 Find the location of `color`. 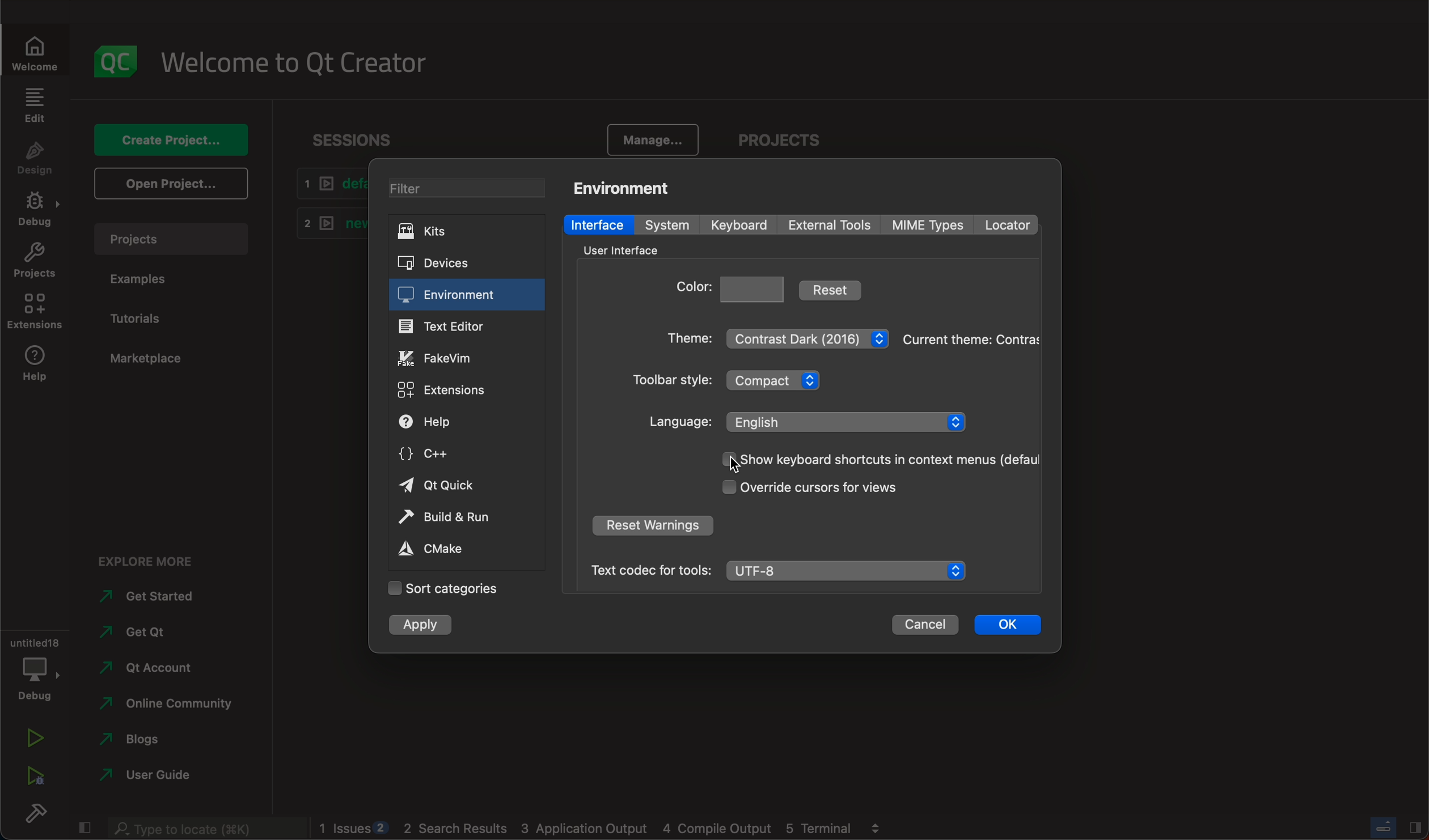

color is located at coordinates (732, 287).